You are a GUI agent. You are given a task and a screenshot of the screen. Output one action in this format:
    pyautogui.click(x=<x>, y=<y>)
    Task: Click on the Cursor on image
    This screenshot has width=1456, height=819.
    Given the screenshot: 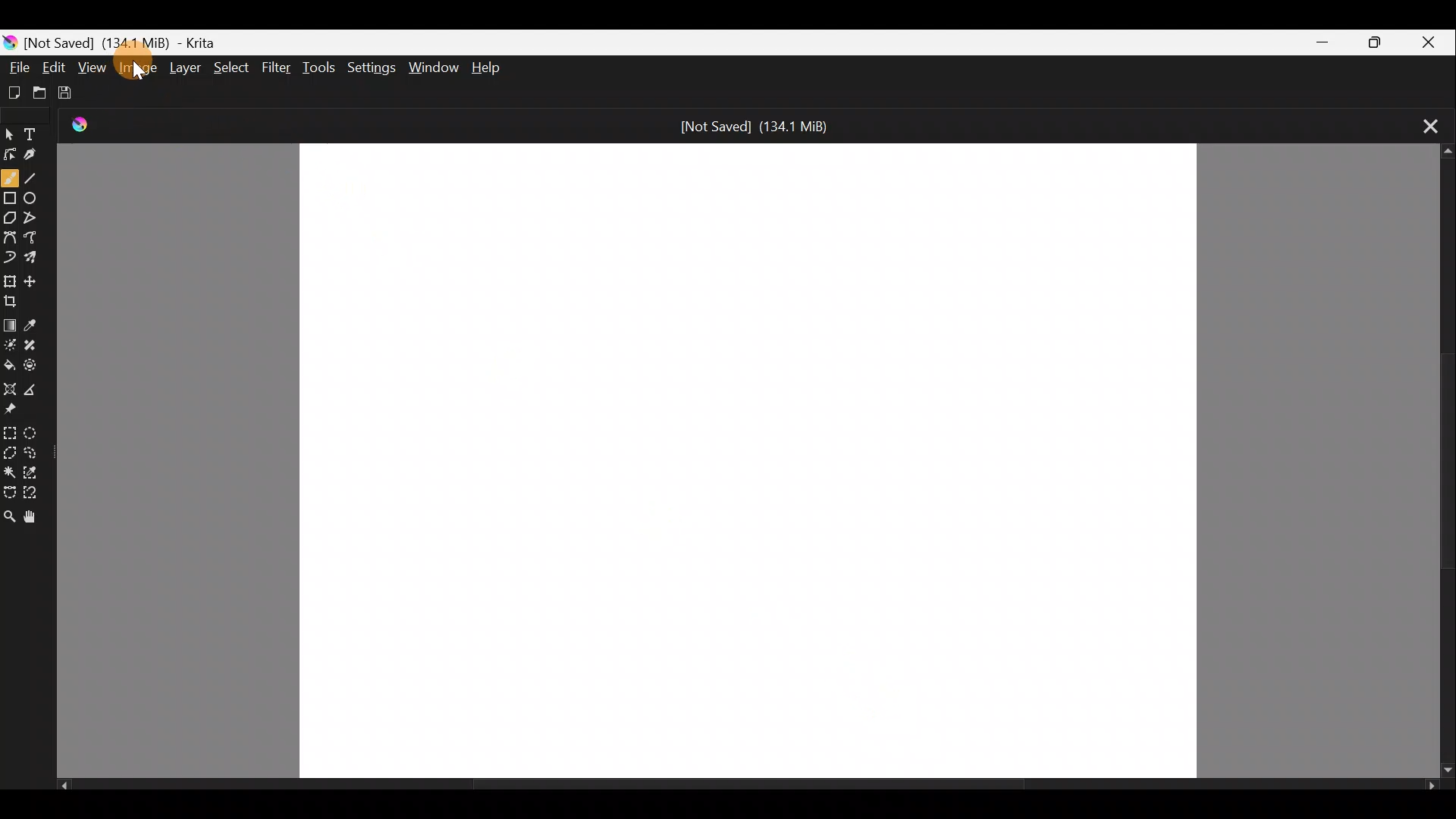 What is the action you would take?
    pyautogui.click(x=142, y=71)
    